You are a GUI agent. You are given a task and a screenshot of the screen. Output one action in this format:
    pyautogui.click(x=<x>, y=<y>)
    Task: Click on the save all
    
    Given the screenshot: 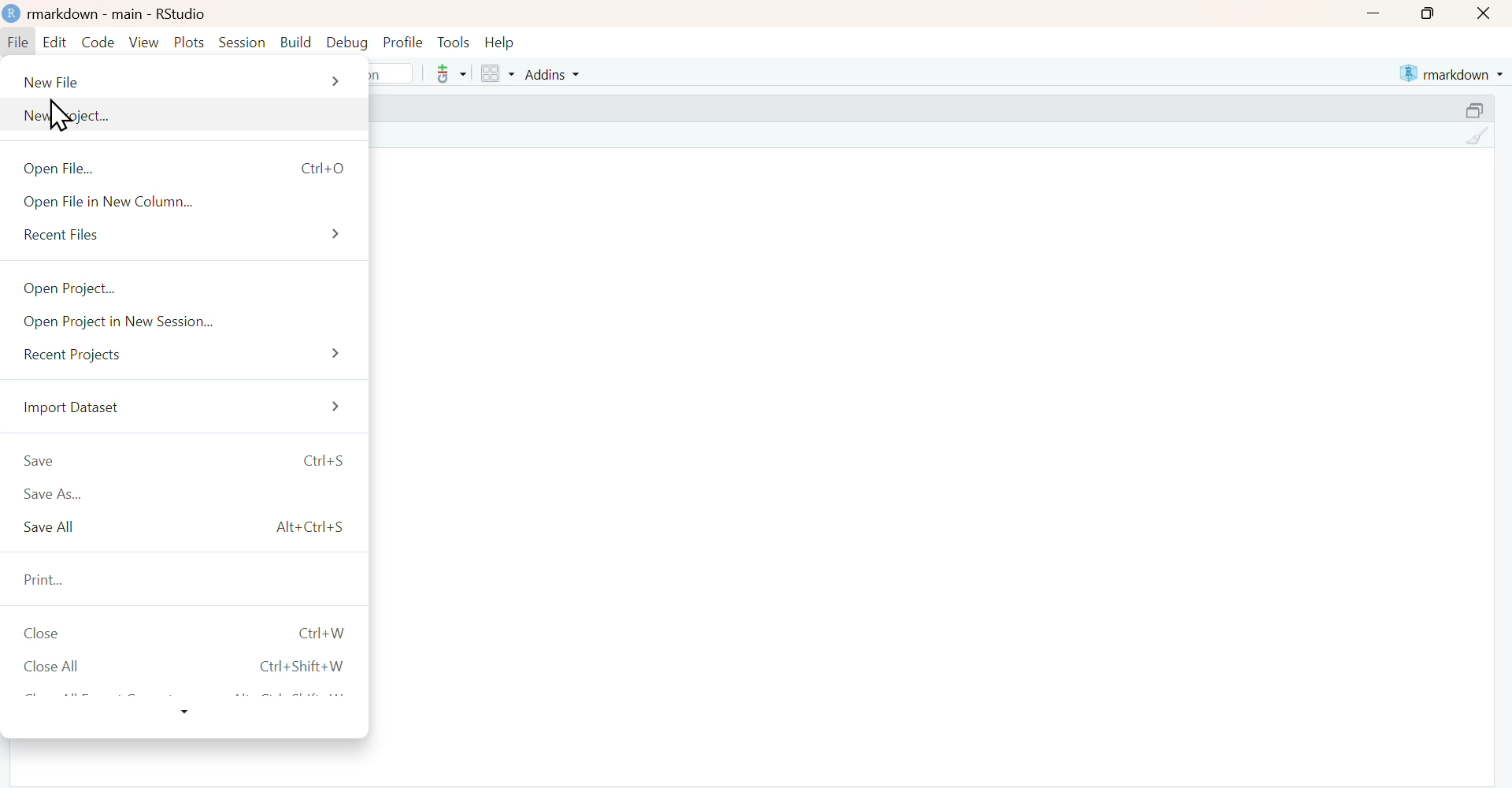 What is the action you would take?
    pyautogui.click(x=190, y=530)
    